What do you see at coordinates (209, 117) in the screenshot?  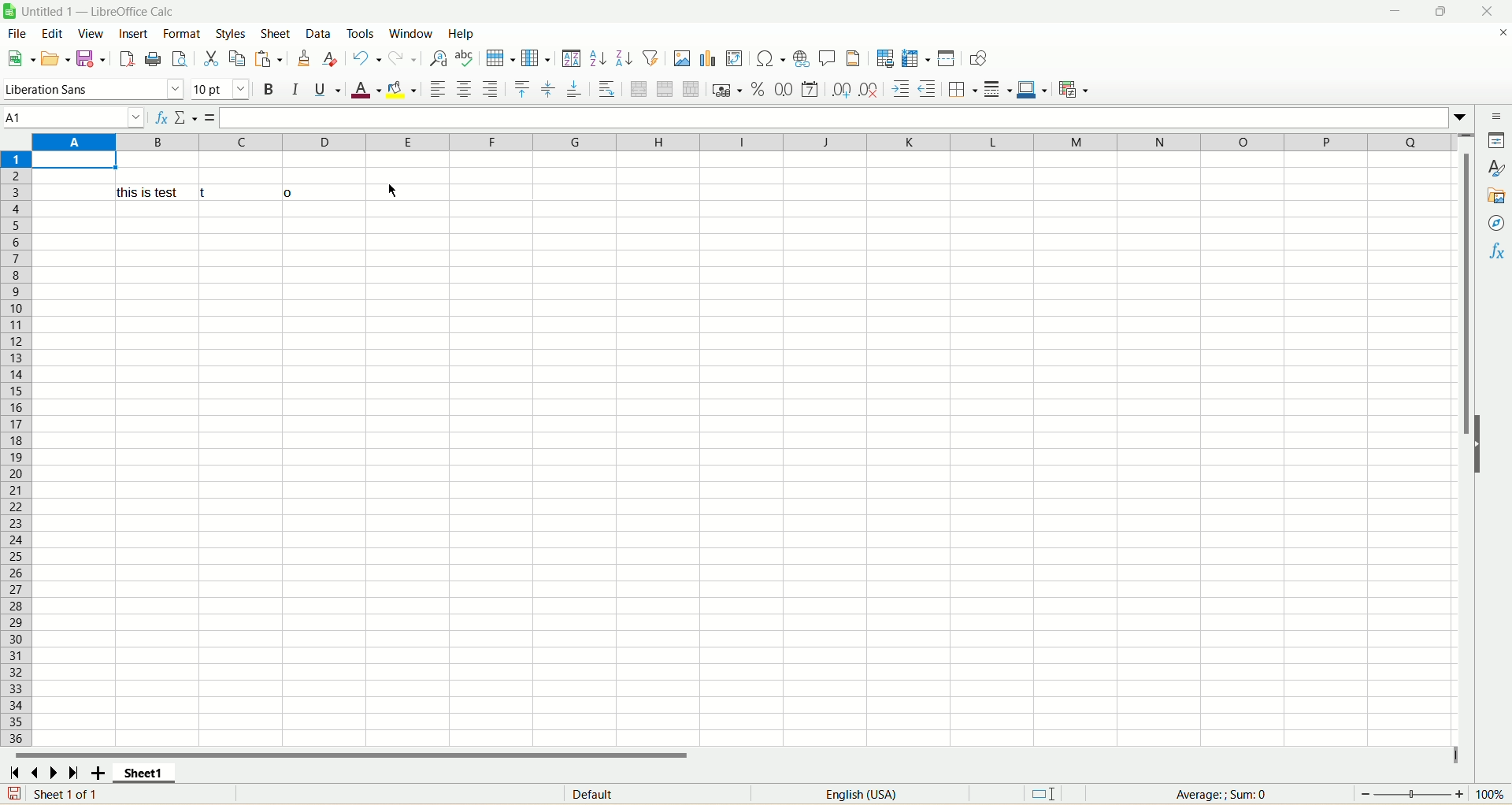 I see `formula` at bounding box center [209, 117].